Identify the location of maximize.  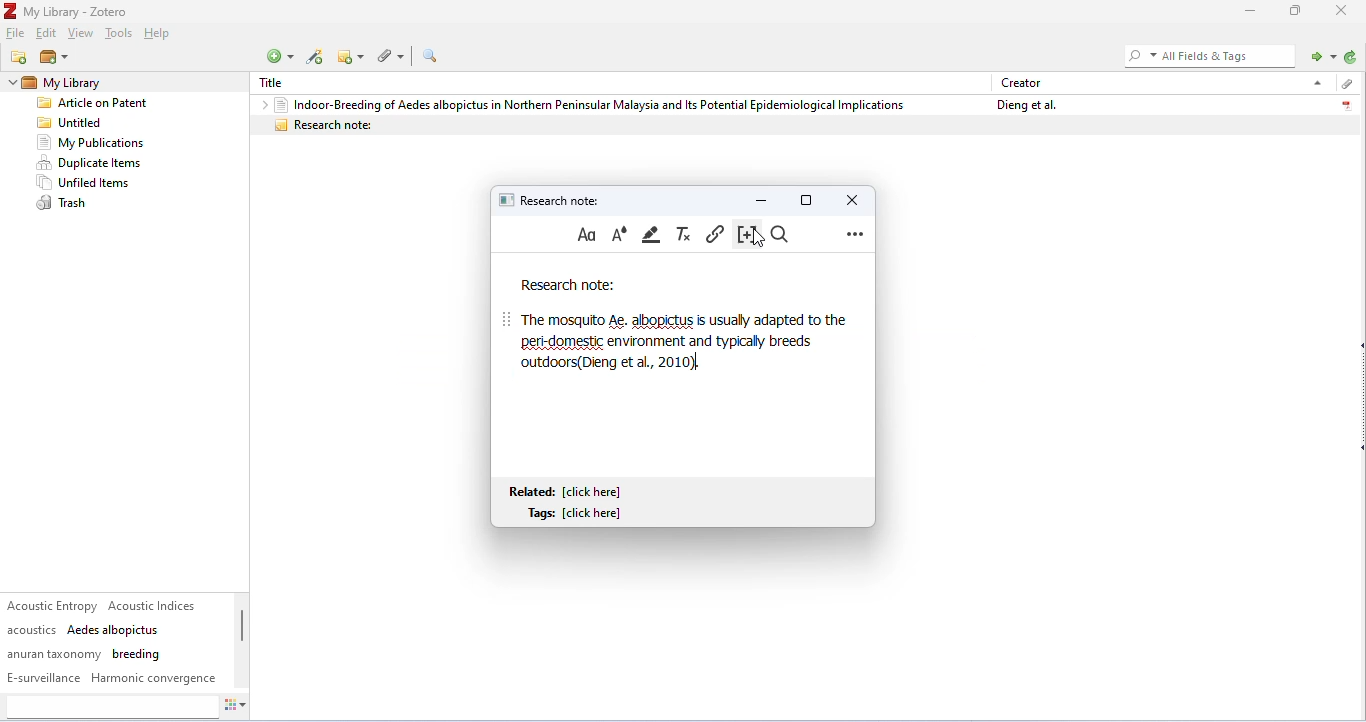
(806, 199).